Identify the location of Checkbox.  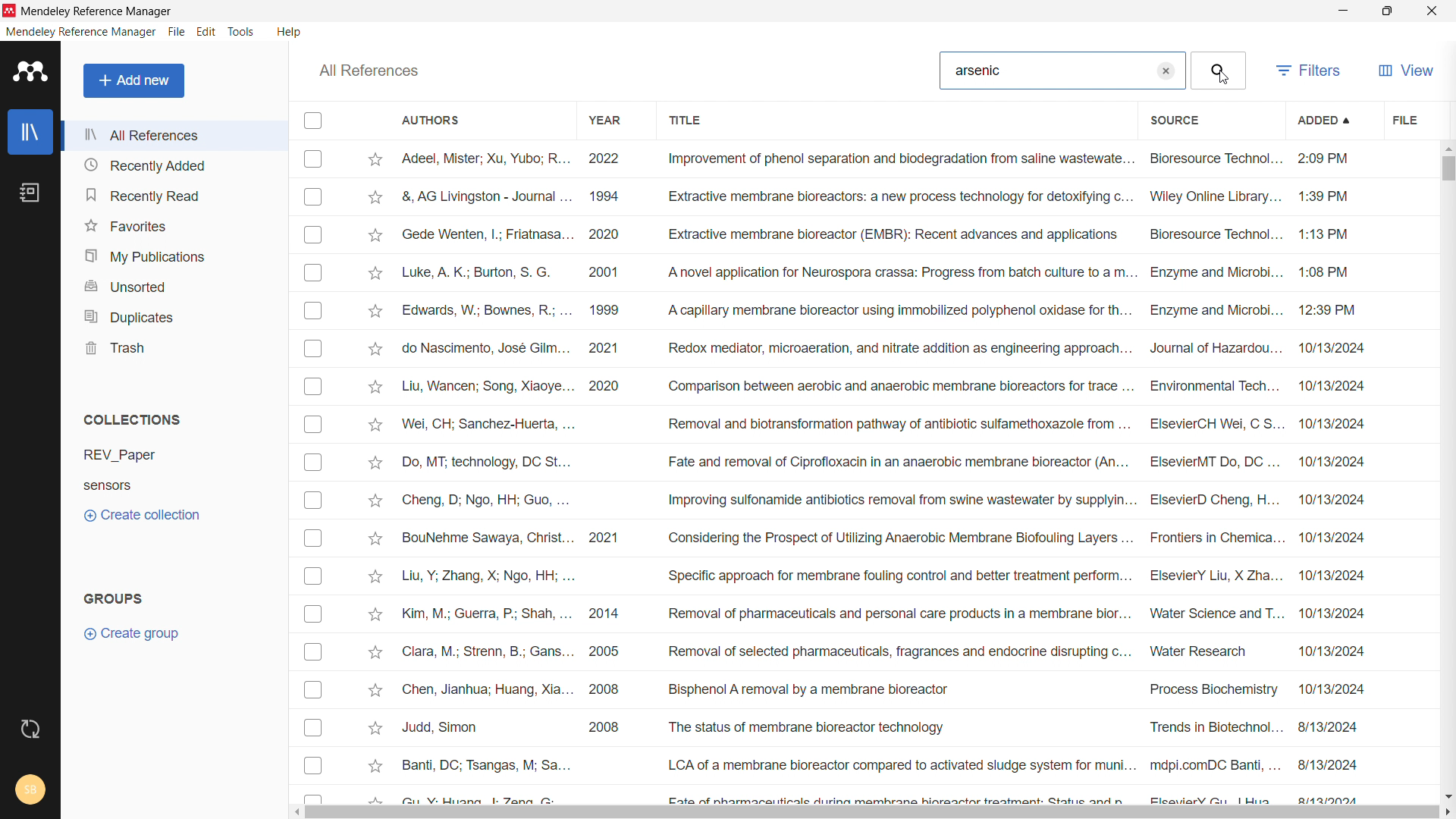
(315, 159).